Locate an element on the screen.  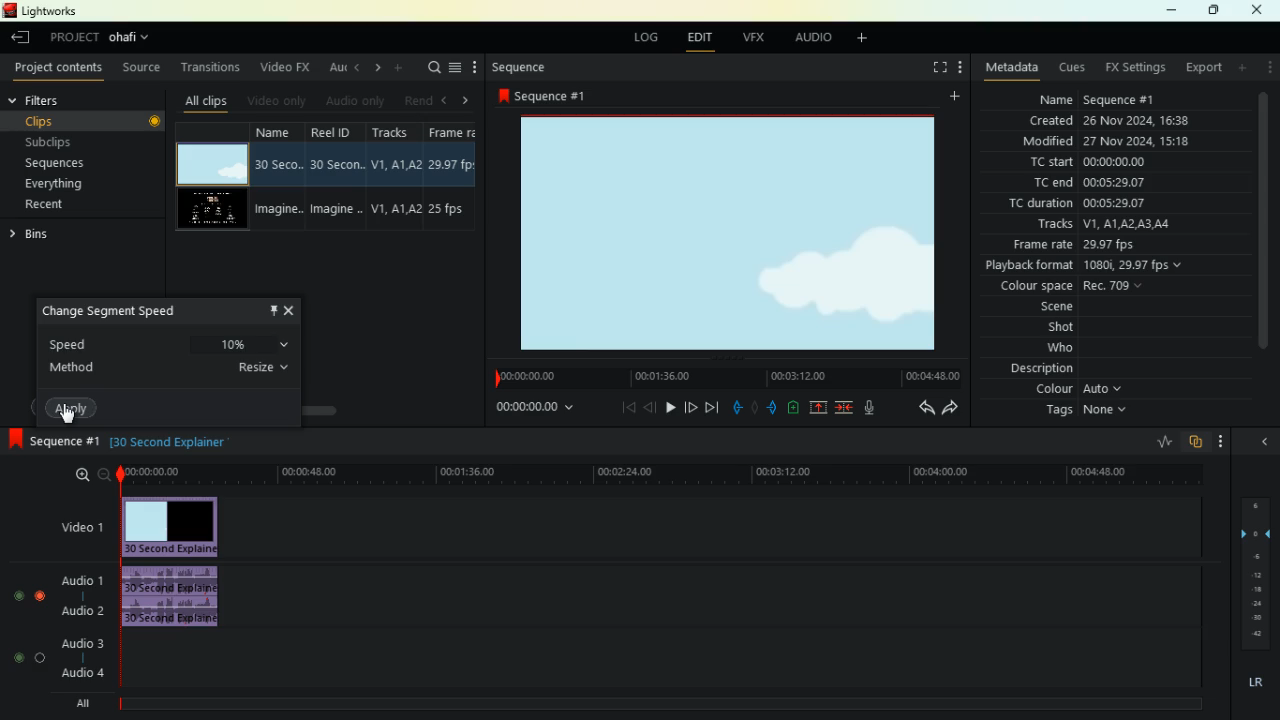
tc start is located at coordinates (1112, 161).